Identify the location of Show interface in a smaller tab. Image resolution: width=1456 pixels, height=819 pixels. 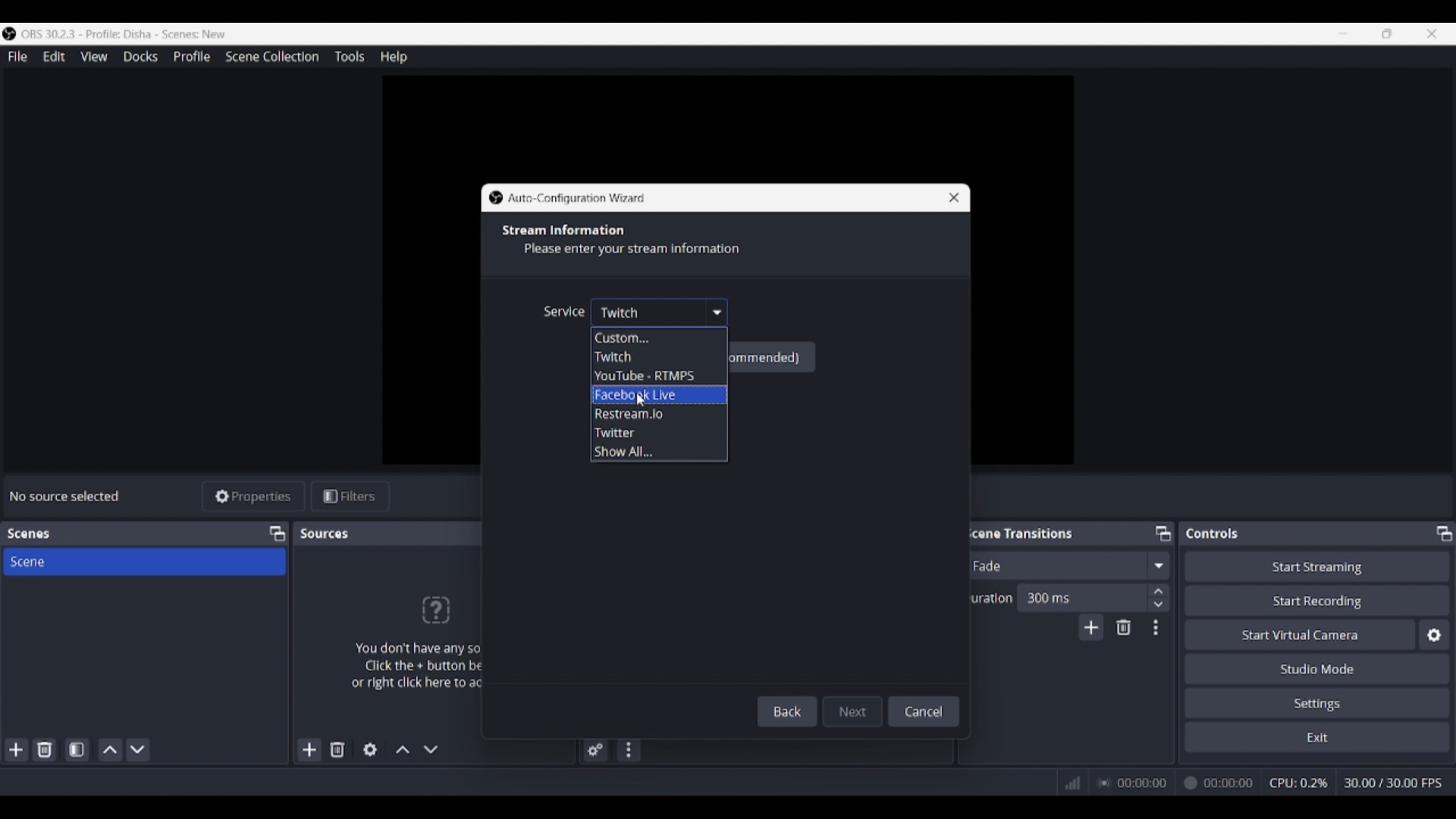
(1387, 33).